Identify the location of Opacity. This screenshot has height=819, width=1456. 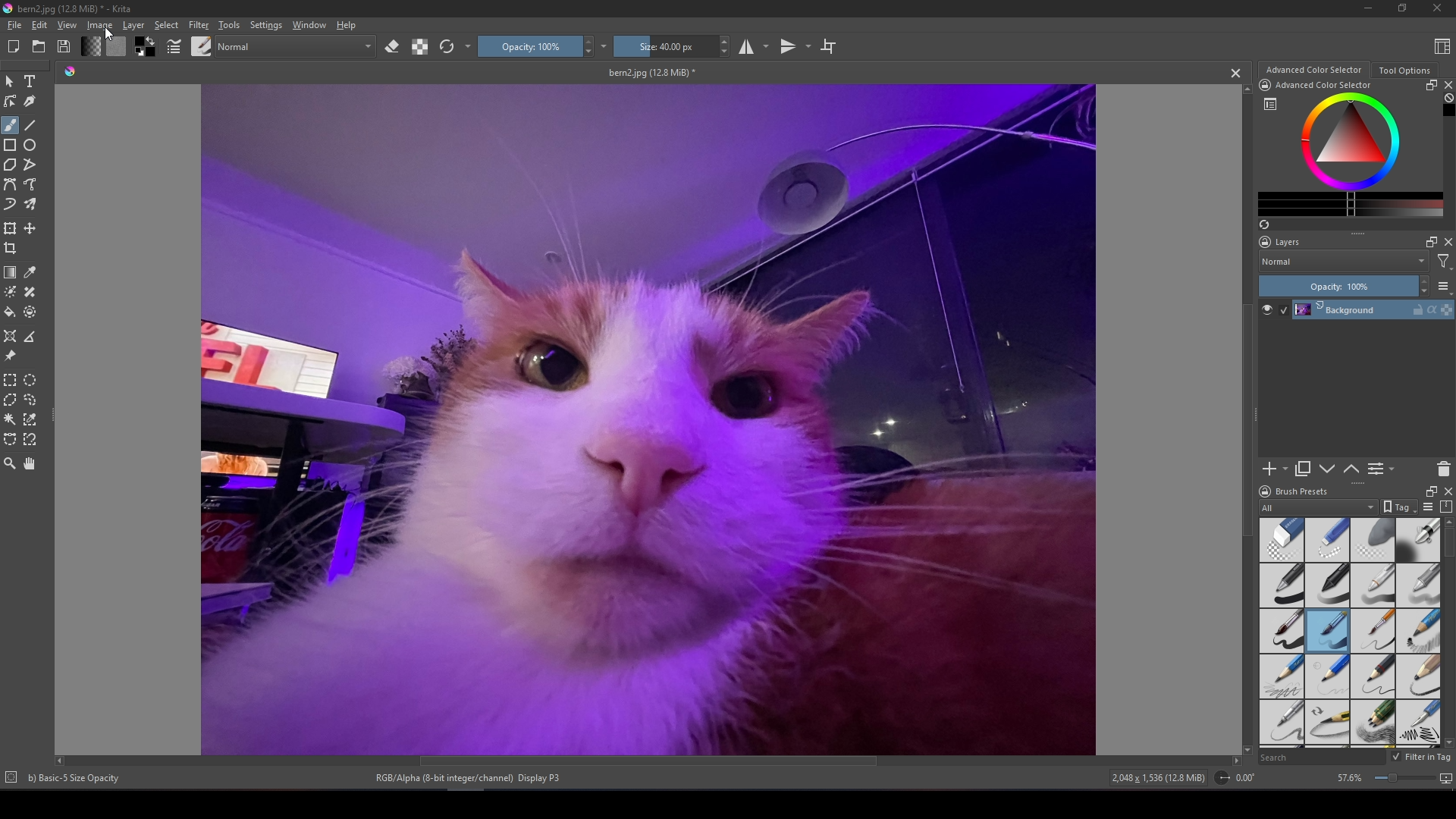
(1344, 285).